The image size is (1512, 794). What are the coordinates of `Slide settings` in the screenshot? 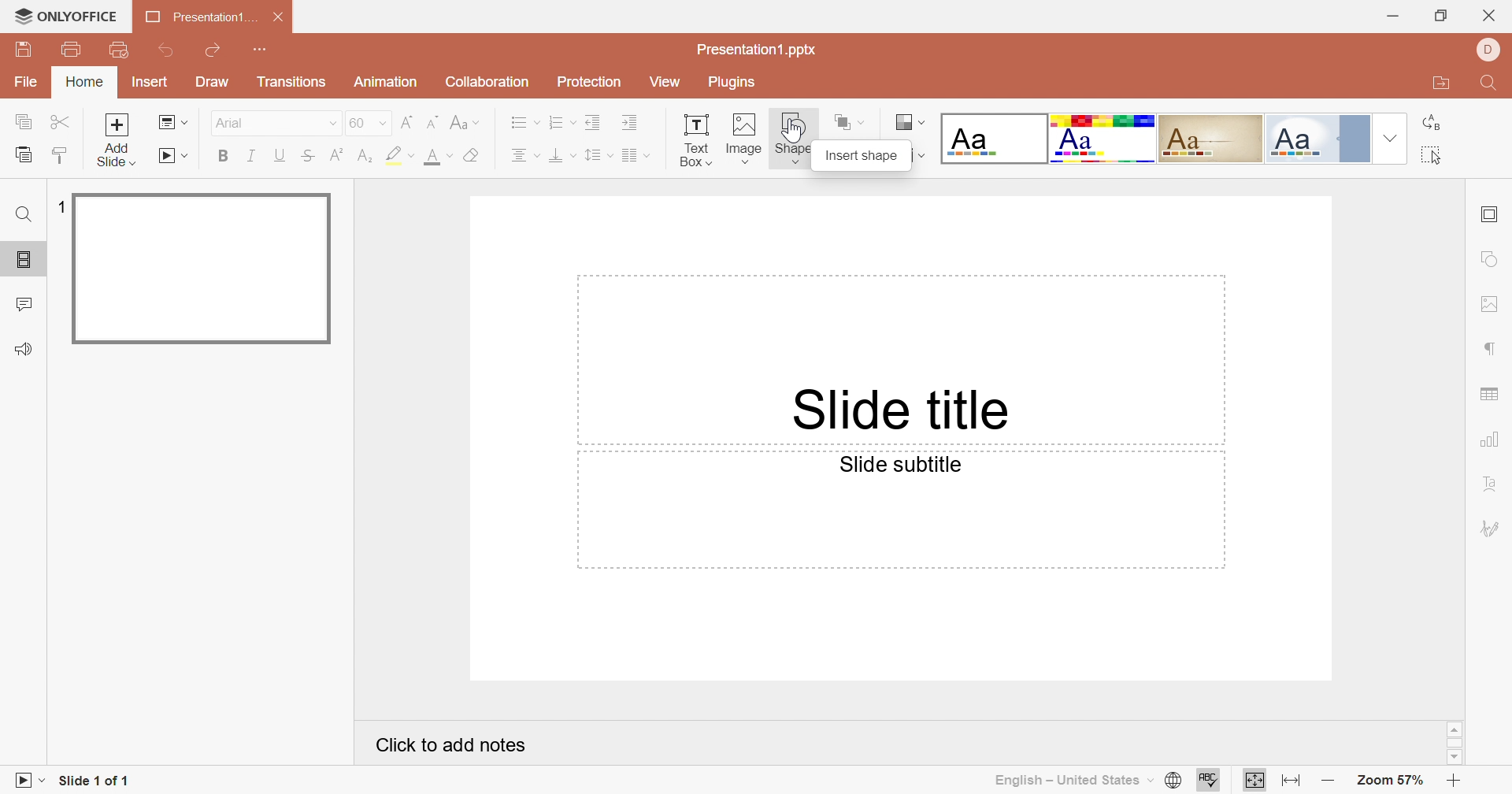 It's located at (1488, 216).